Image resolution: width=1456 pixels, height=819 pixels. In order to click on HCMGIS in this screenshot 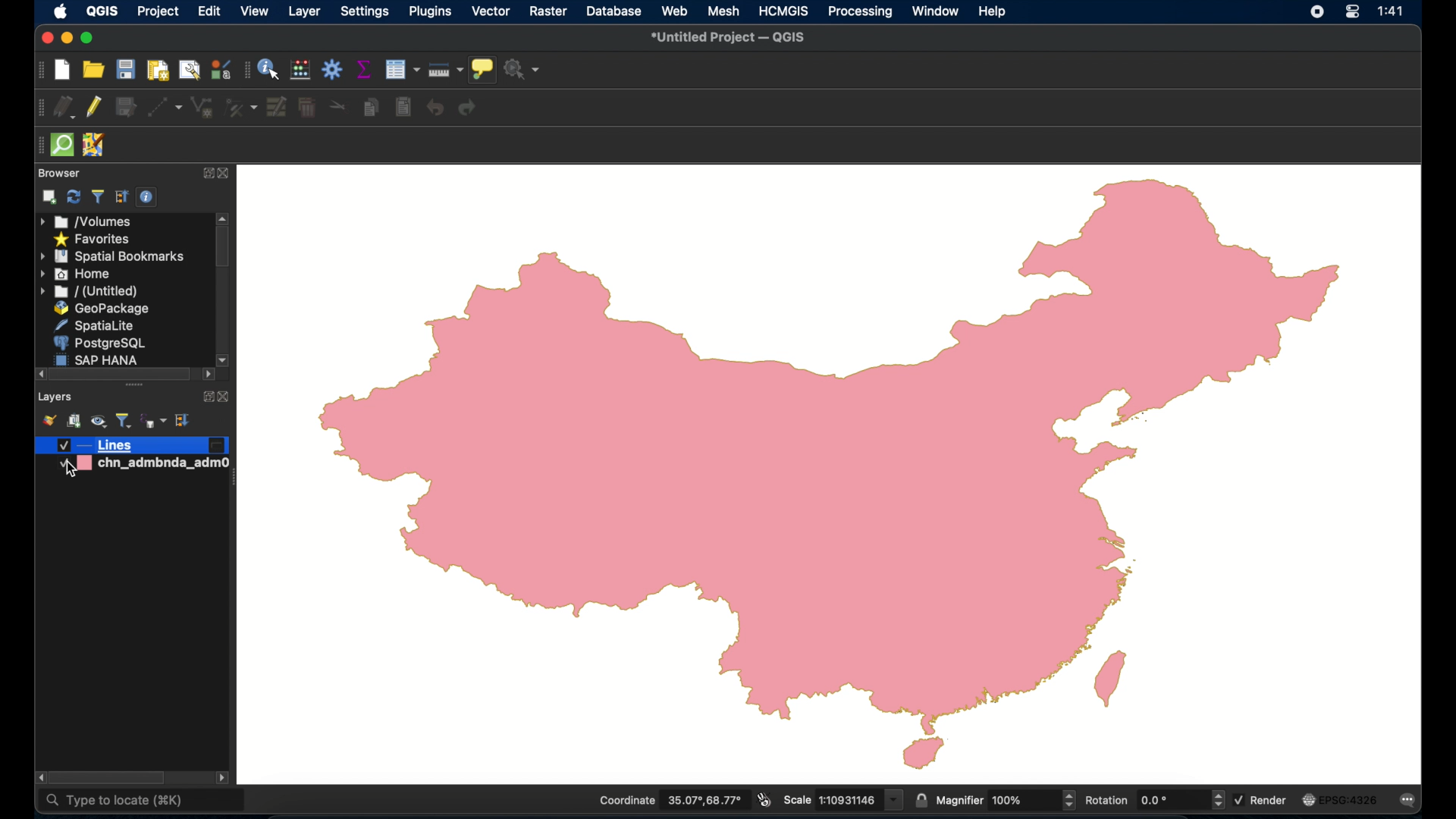, I will do `click(783, 11)`.